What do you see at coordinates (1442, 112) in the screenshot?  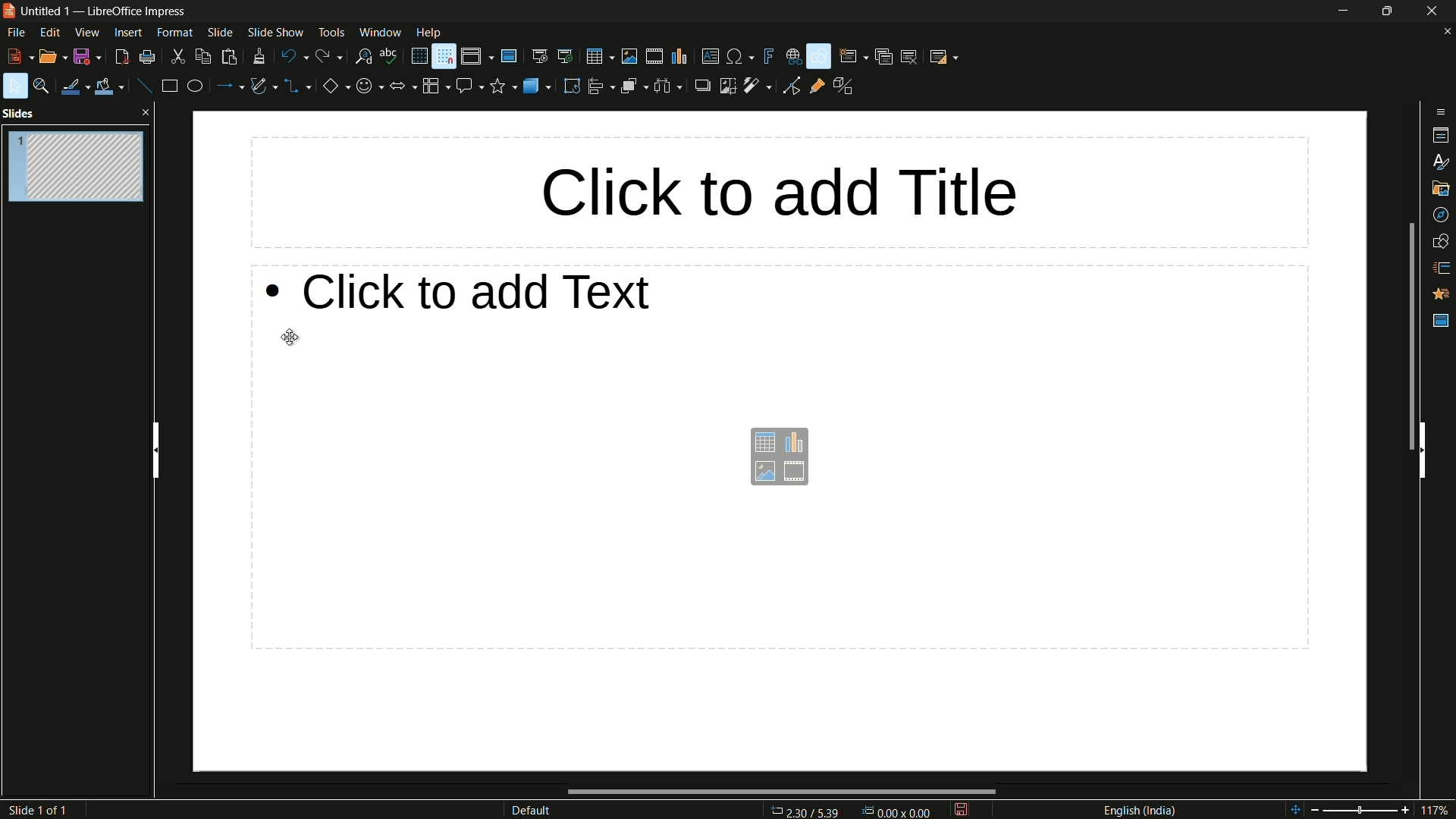 I see `sidebar settings` at bounding box center [1442, 112].